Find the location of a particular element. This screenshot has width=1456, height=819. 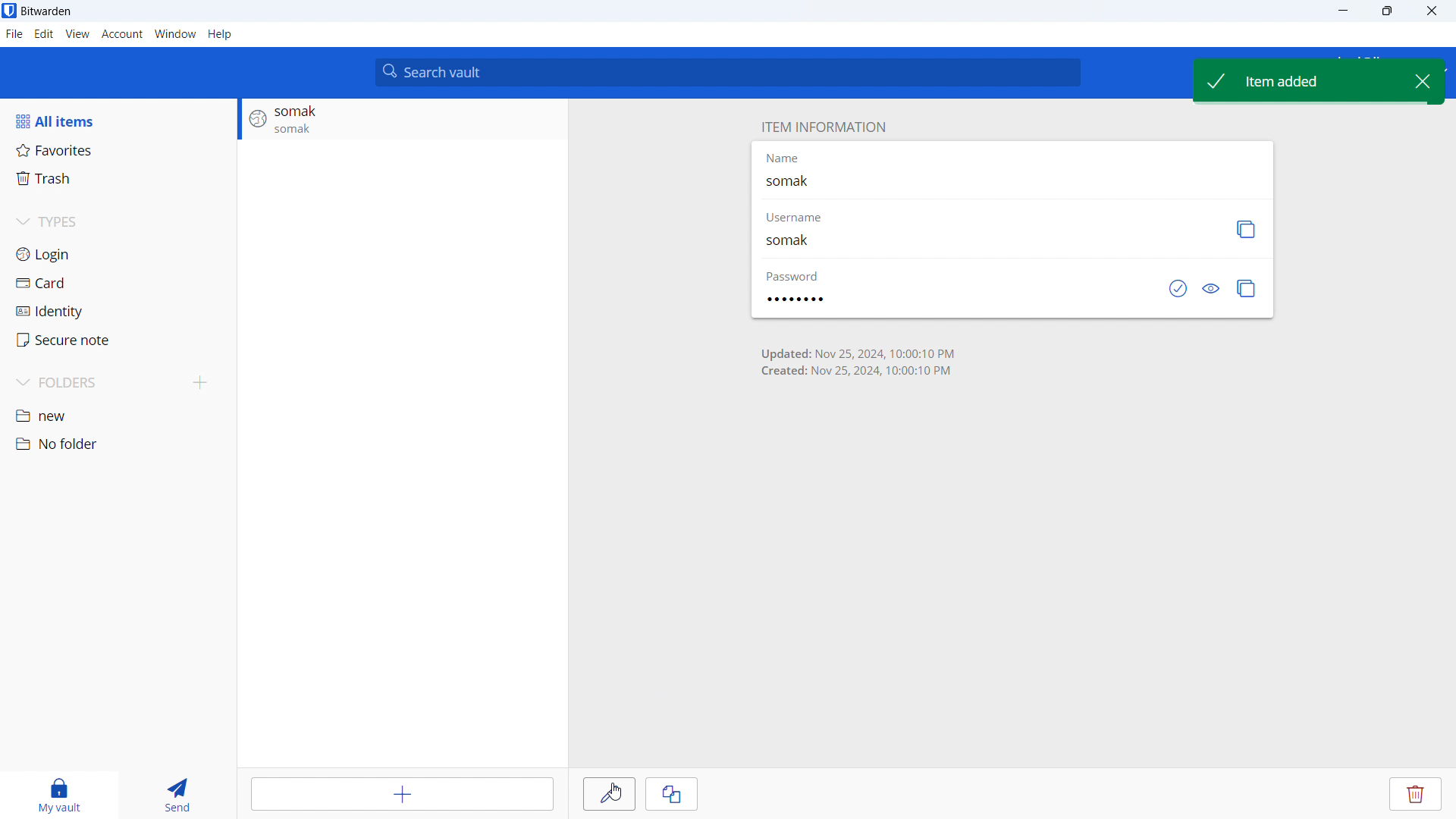

UPDATION AND CREATION DATE is located at coordinates (881, 362).